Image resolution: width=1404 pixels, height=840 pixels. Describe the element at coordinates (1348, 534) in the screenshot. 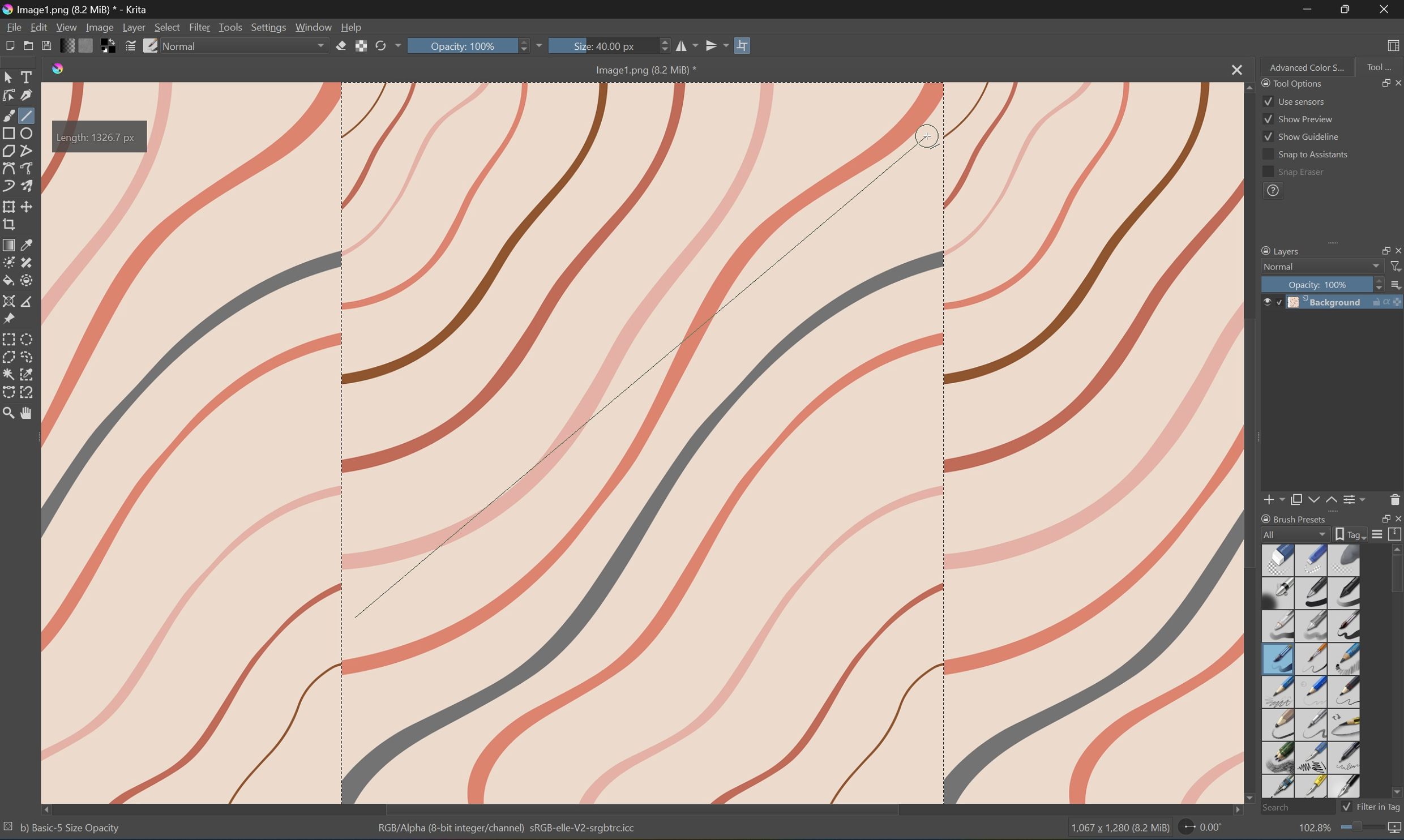

I see `Show the tag box options` at that location.